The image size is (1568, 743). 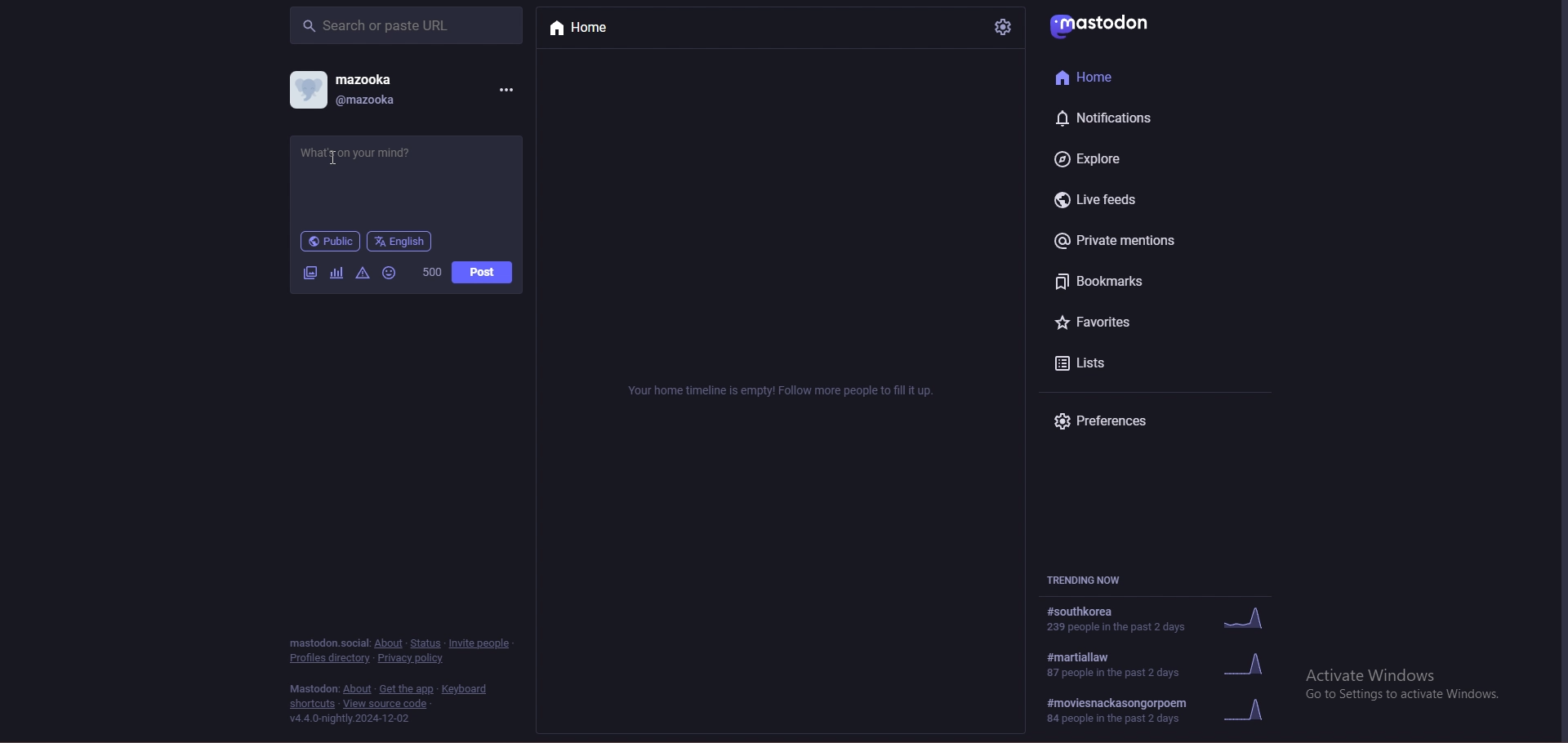 I want to click on @mazooka, so click(x=366, y=100).